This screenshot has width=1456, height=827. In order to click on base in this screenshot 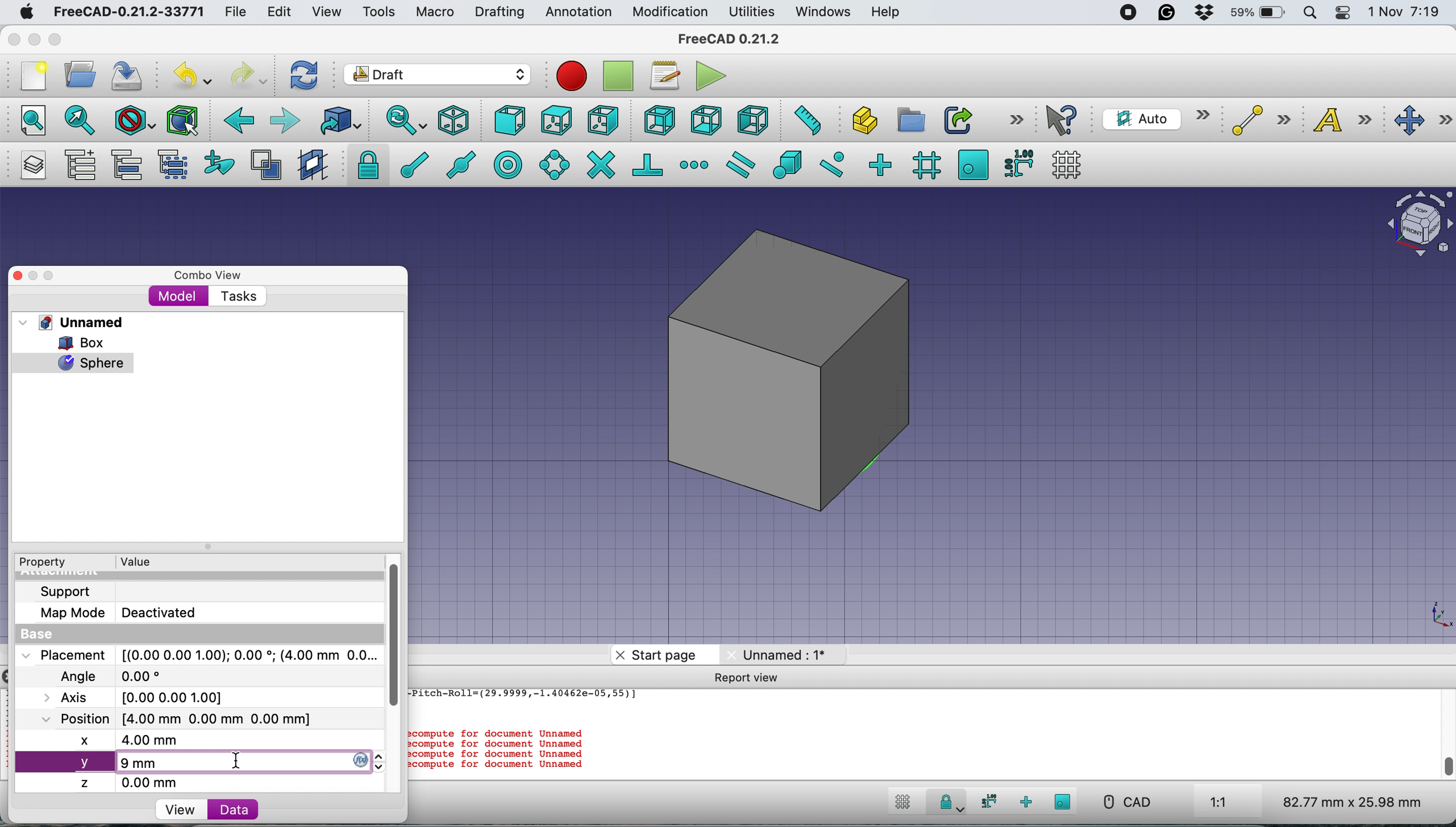, I will do `click(40, 635)`.